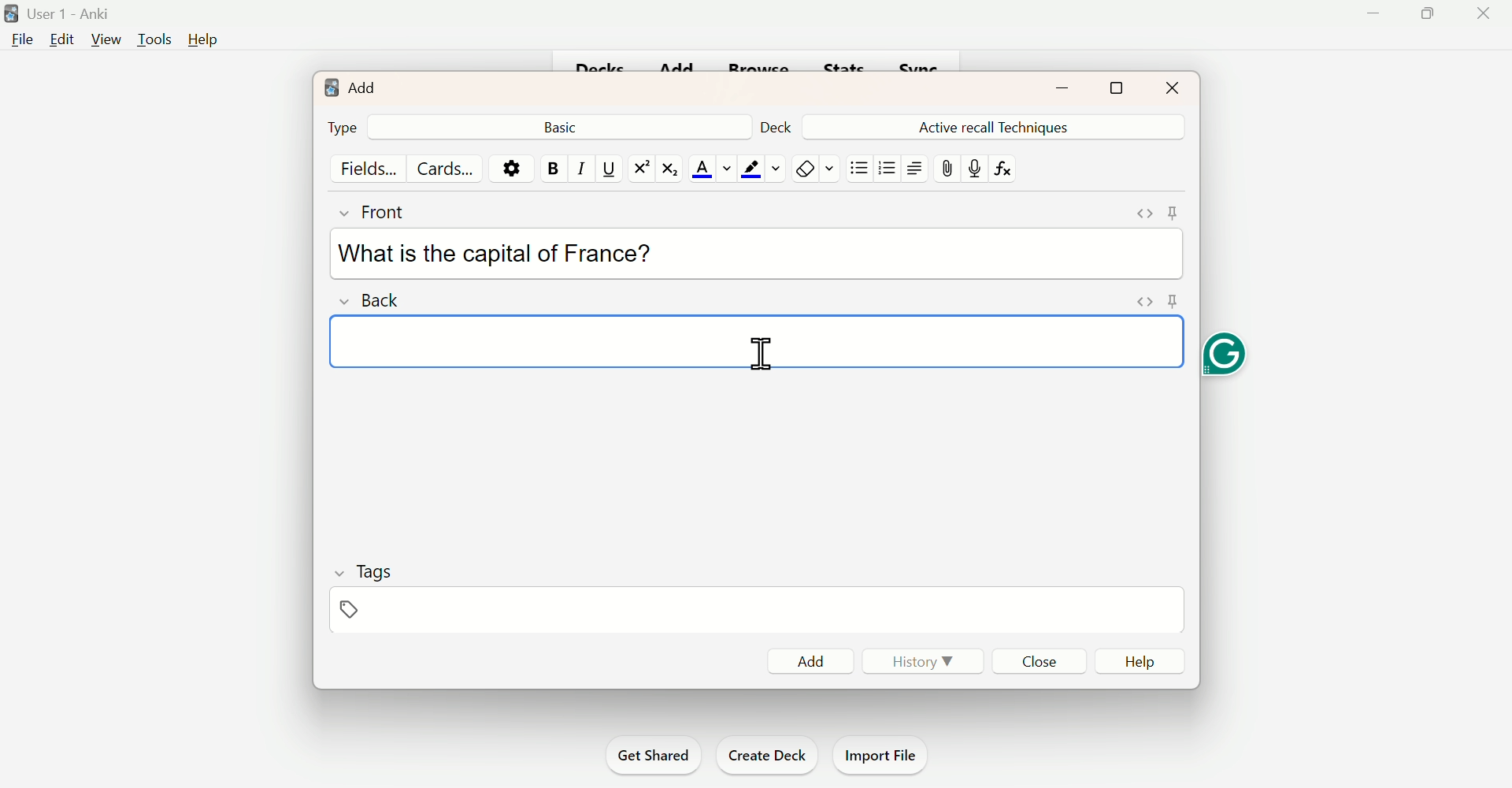  Describe the element at coordinates (490, 251) in the screenshot. I see `What is the capital of France?` at that location.